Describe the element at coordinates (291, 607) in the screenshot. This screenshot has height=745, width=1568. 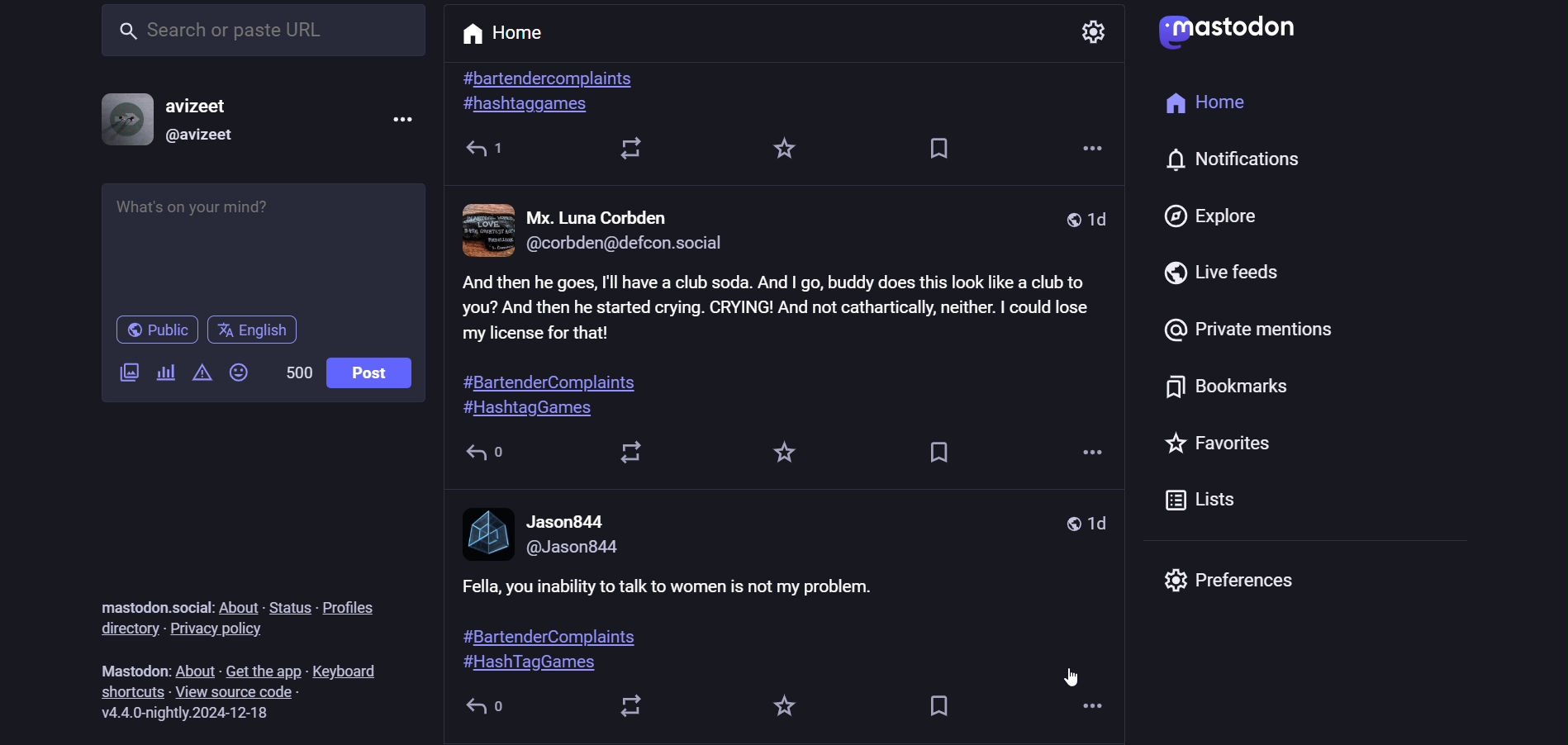
I see `status` at that location.